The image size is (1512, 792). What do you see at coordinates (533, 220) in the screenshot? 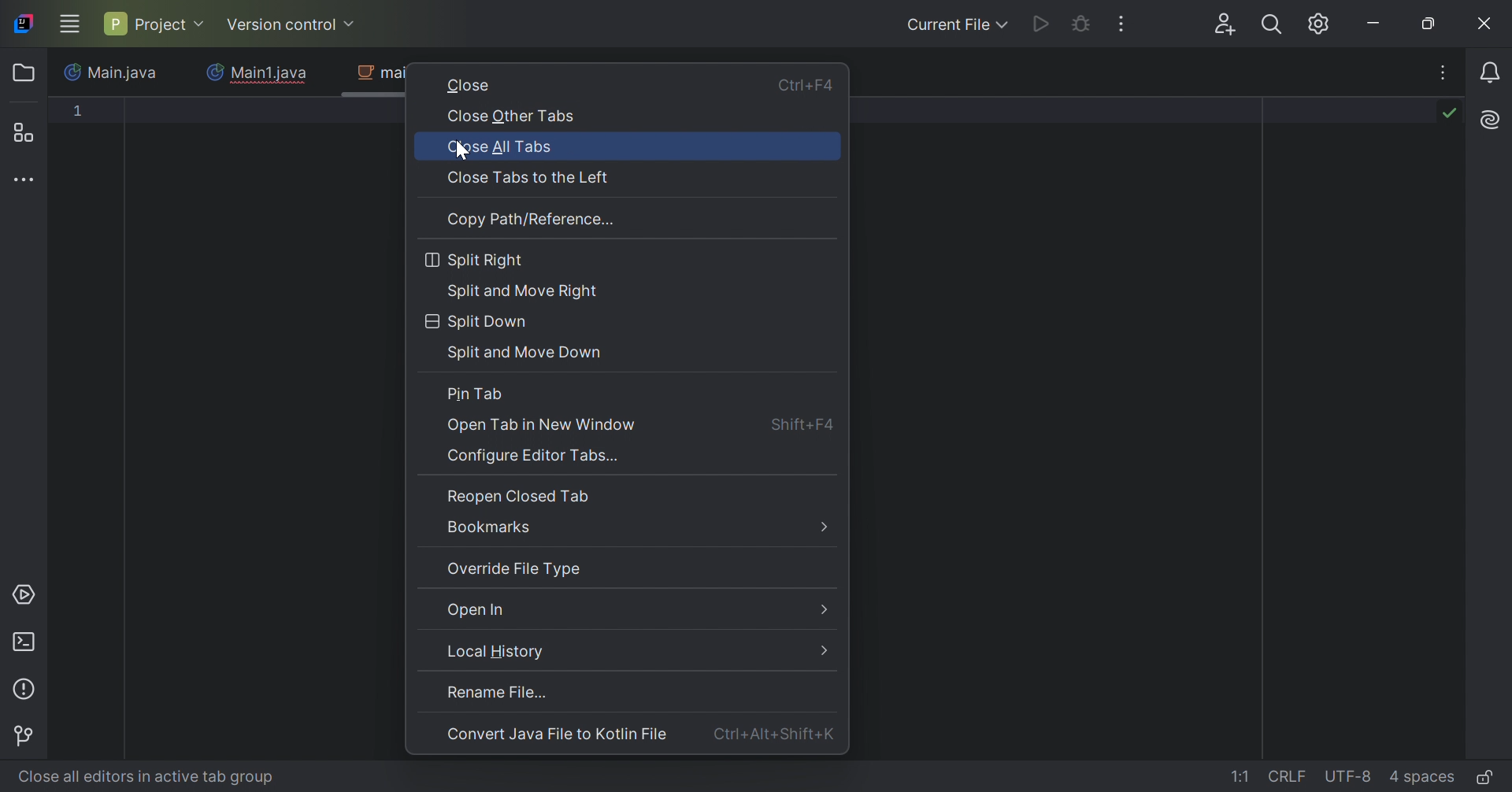
I see `Copy Path/Reference...` at bounding box center [533, 220].